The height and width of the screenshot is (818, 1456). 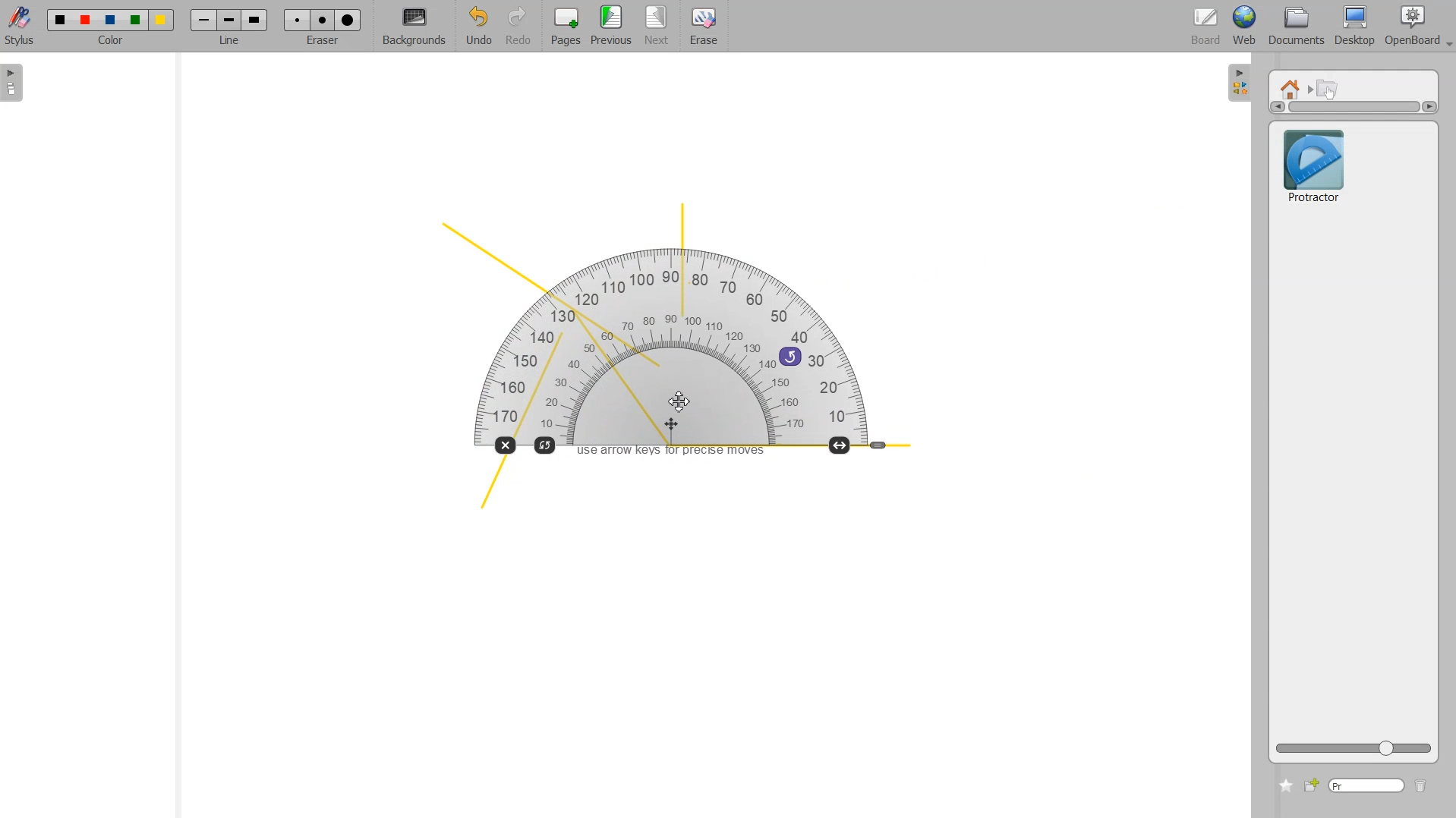 What do you see at coordinates (1240, 81) in the screenshot?
I see `Sidebar` at bounding box center [1240, 81].